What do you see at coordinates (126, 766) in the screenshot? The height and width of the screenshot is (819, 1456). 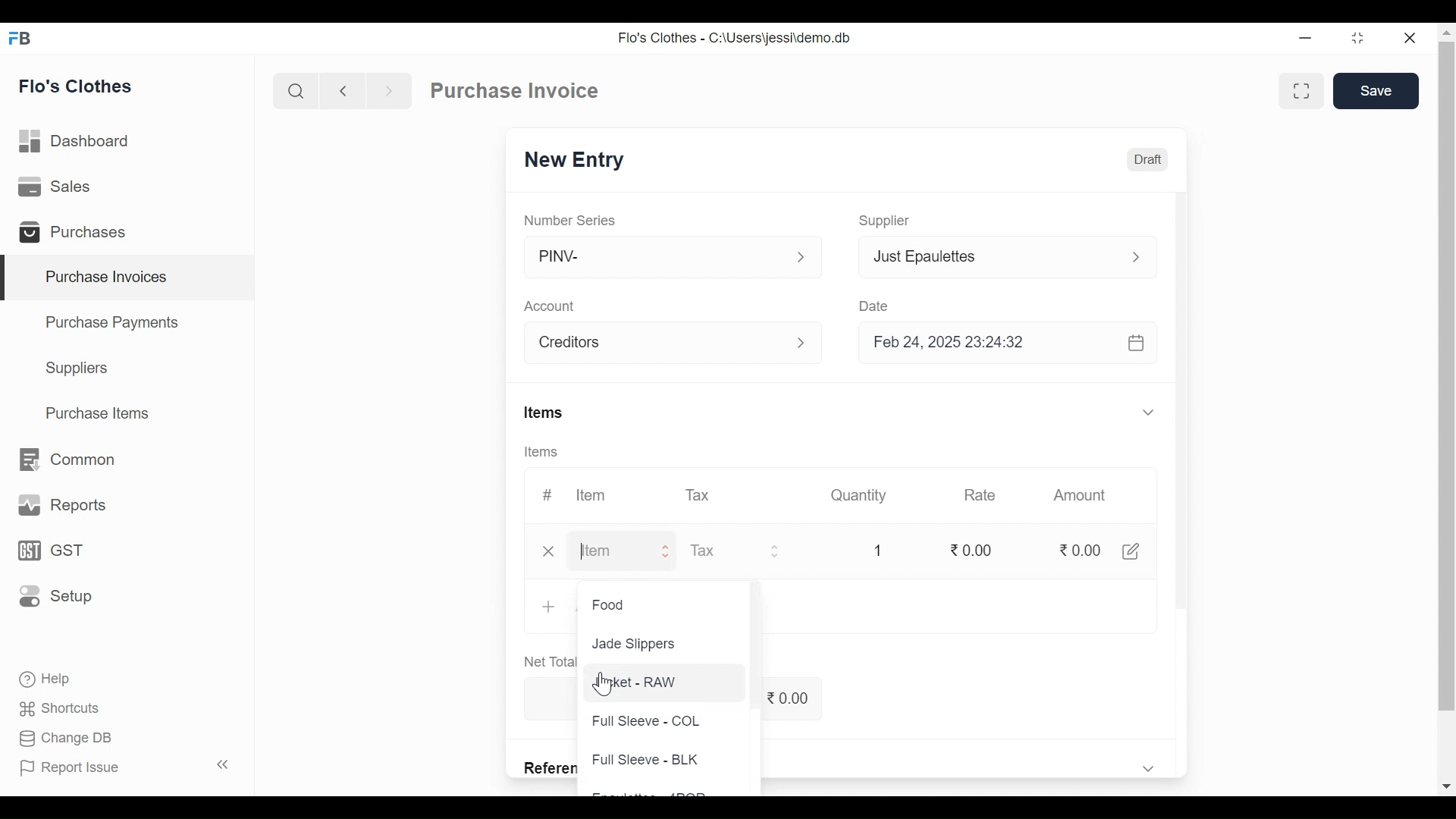 I see `Report Issue` at bounding box center [126, 766].